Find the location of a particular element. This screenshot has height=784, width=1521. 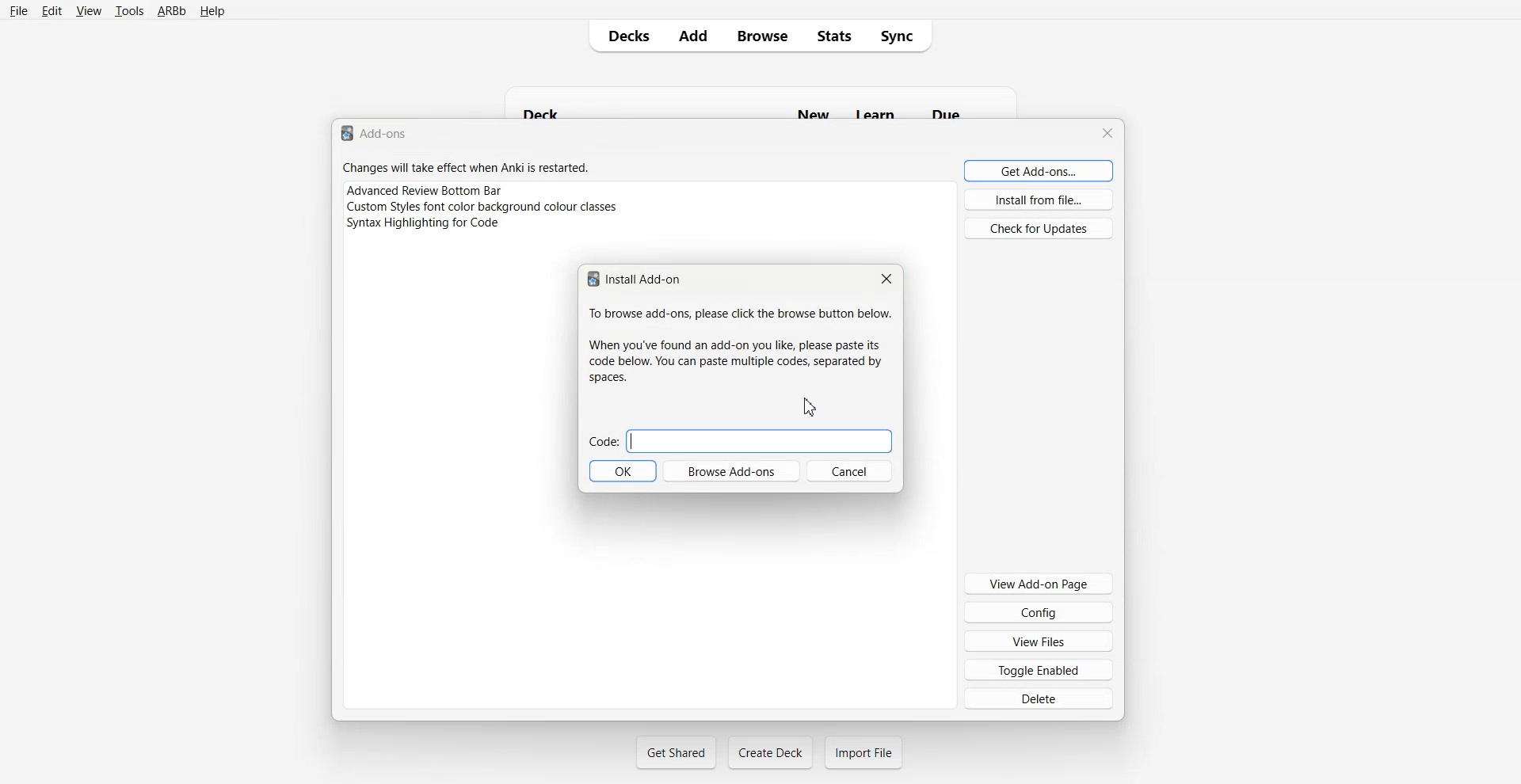

Deck New Learn Due is located at coordinates (754, 114).